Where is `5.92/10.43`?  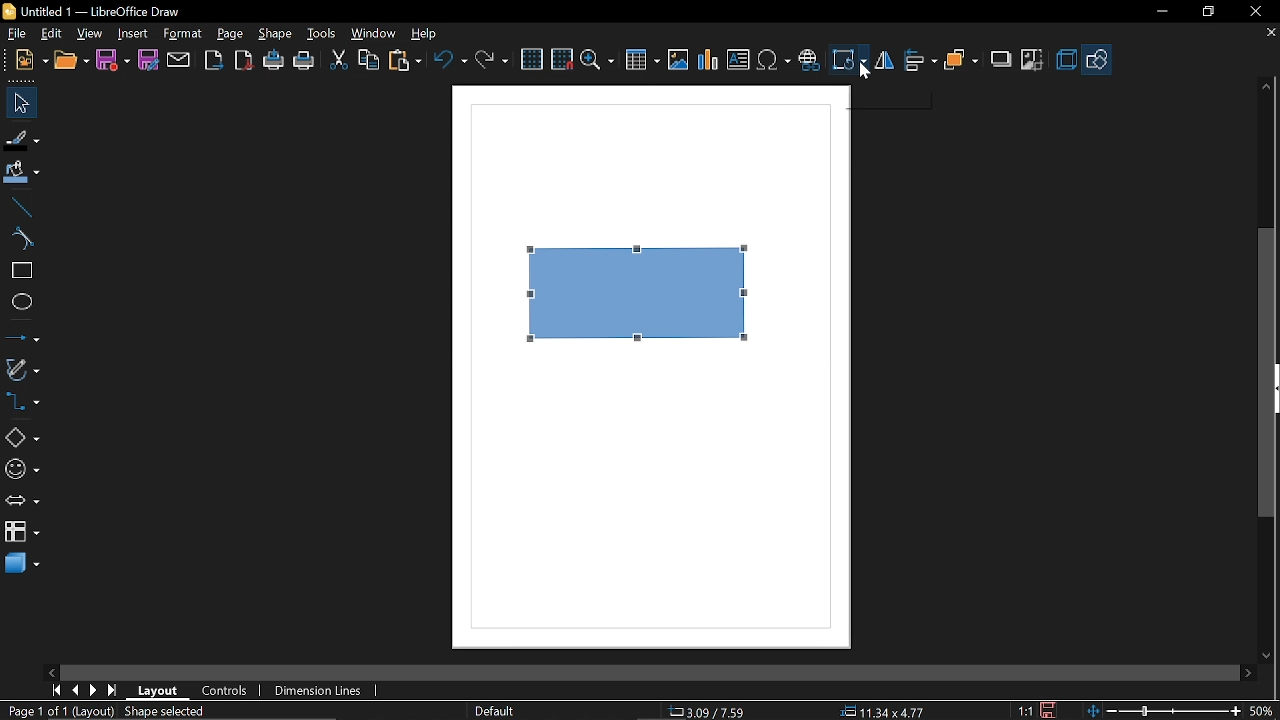 5.92/10.43 is located at coordinates (710, 712).